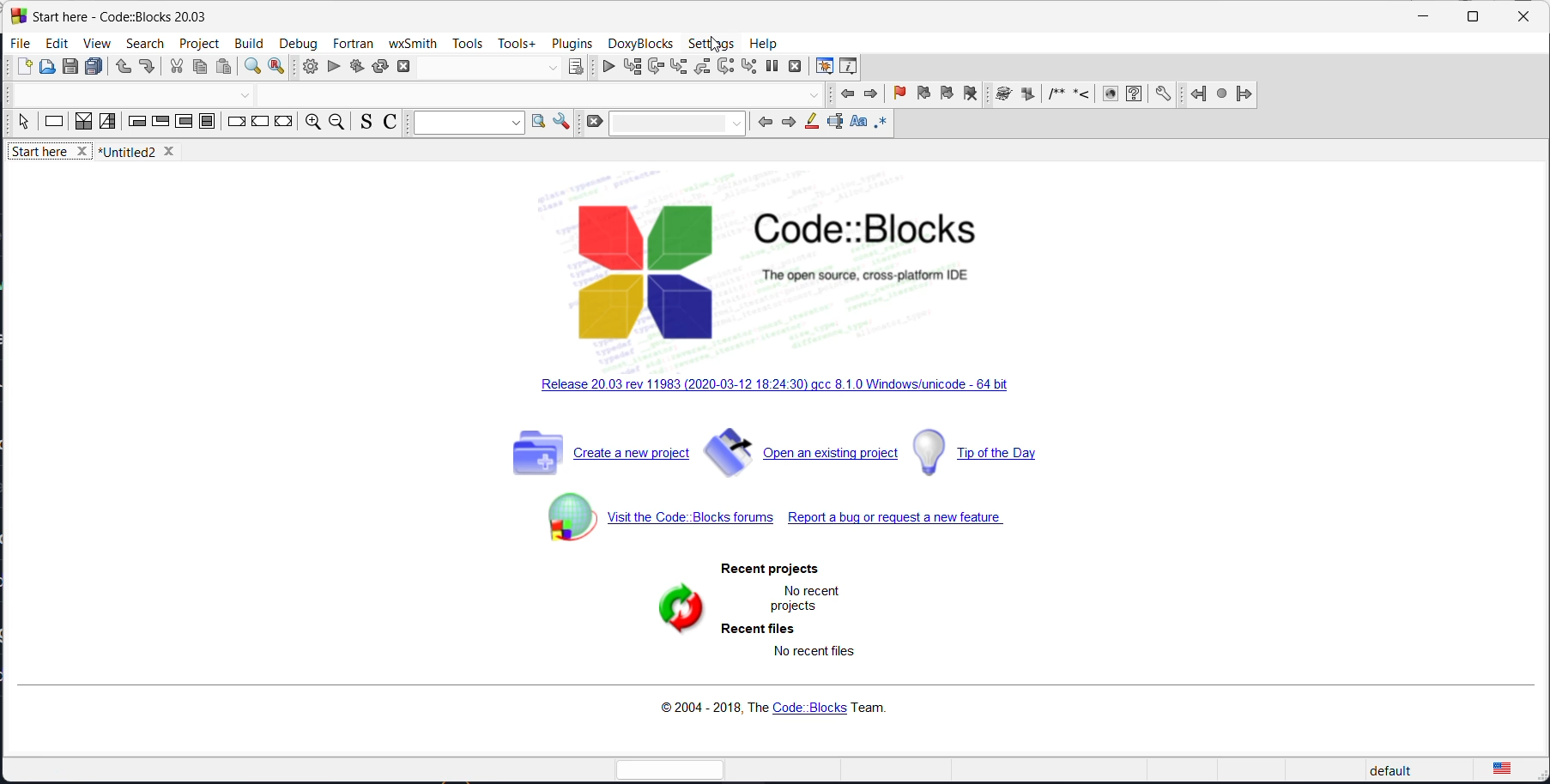 The image size is (1550, 784). I want to click on break debugging, so click(772, 66).